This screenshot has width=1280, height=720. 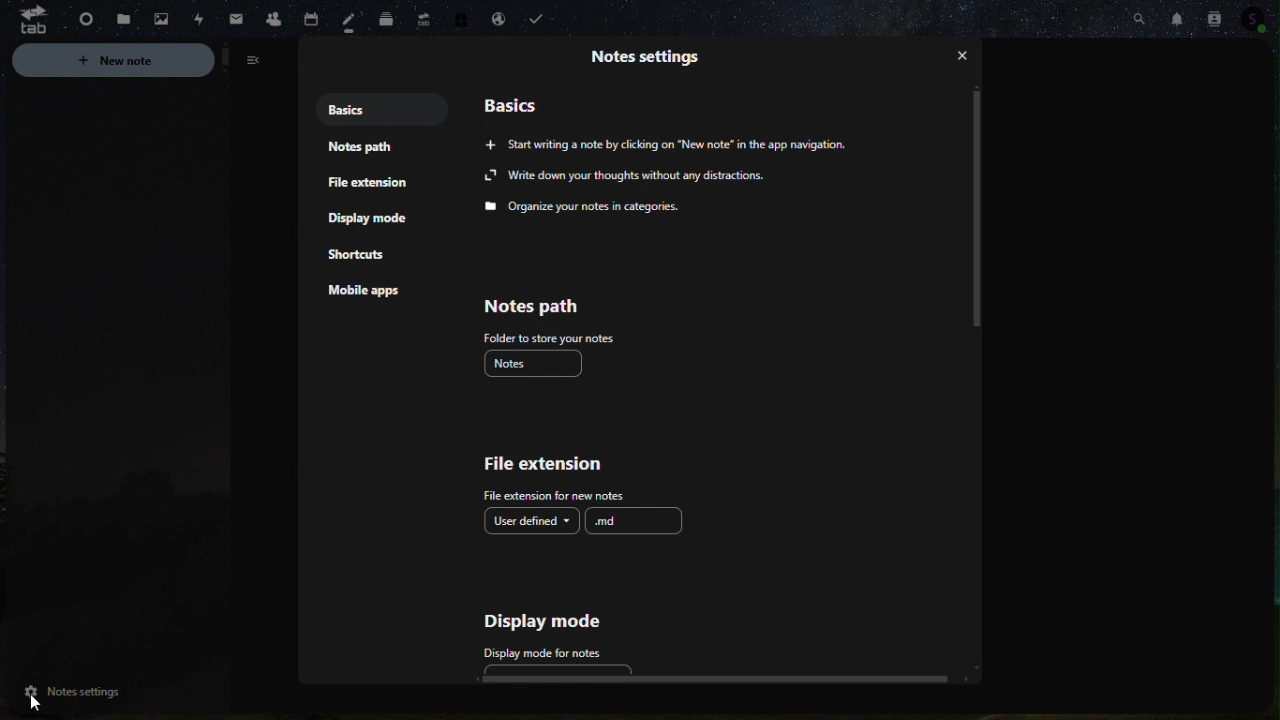 What do you see at coordinates (650, 53) in the screenshot?
I see `Note settings` at bounding box center [650, 53].